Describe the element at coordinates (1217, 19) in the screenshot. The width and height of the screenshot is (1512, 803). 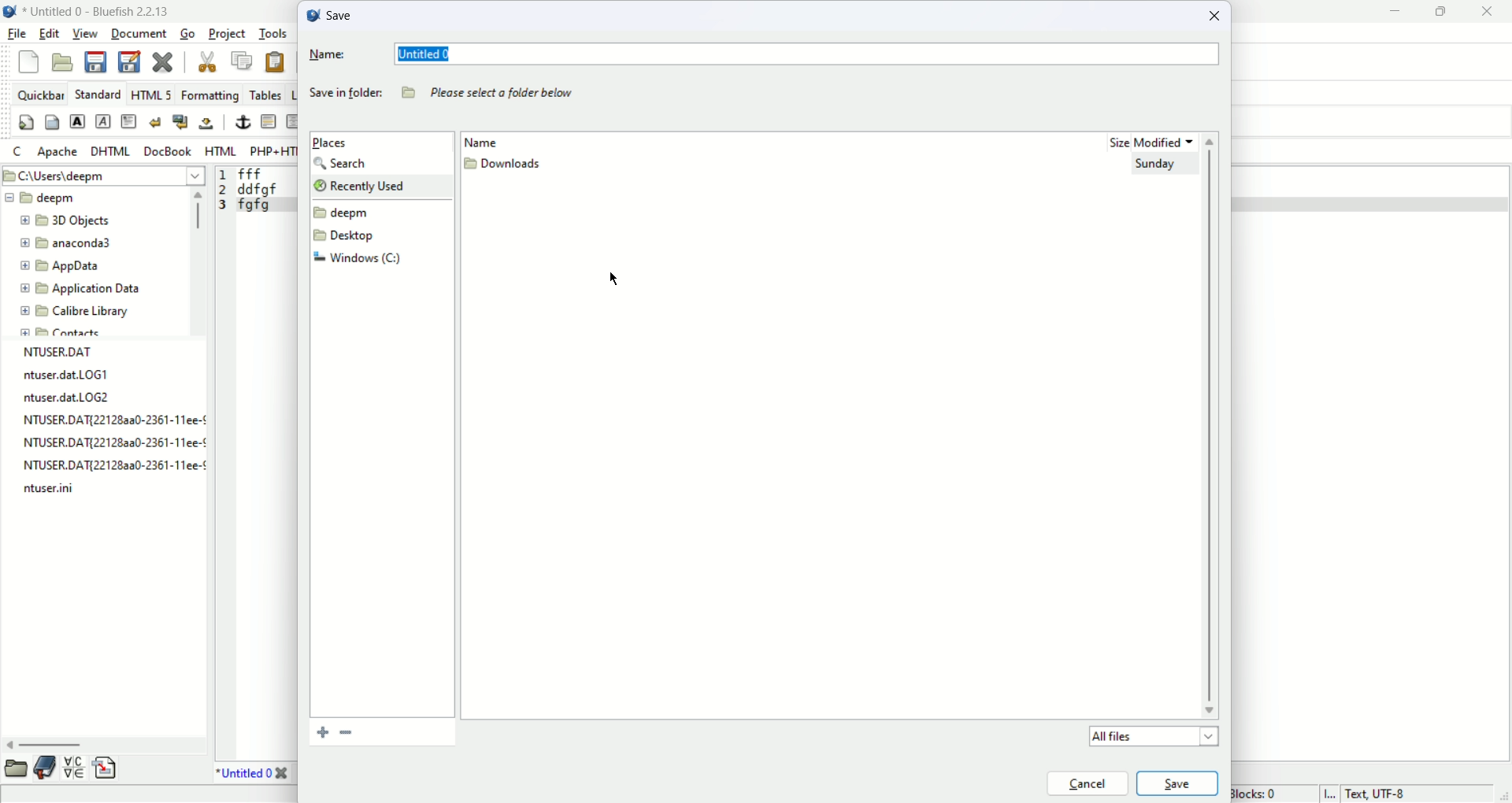
I see `close` at that location.